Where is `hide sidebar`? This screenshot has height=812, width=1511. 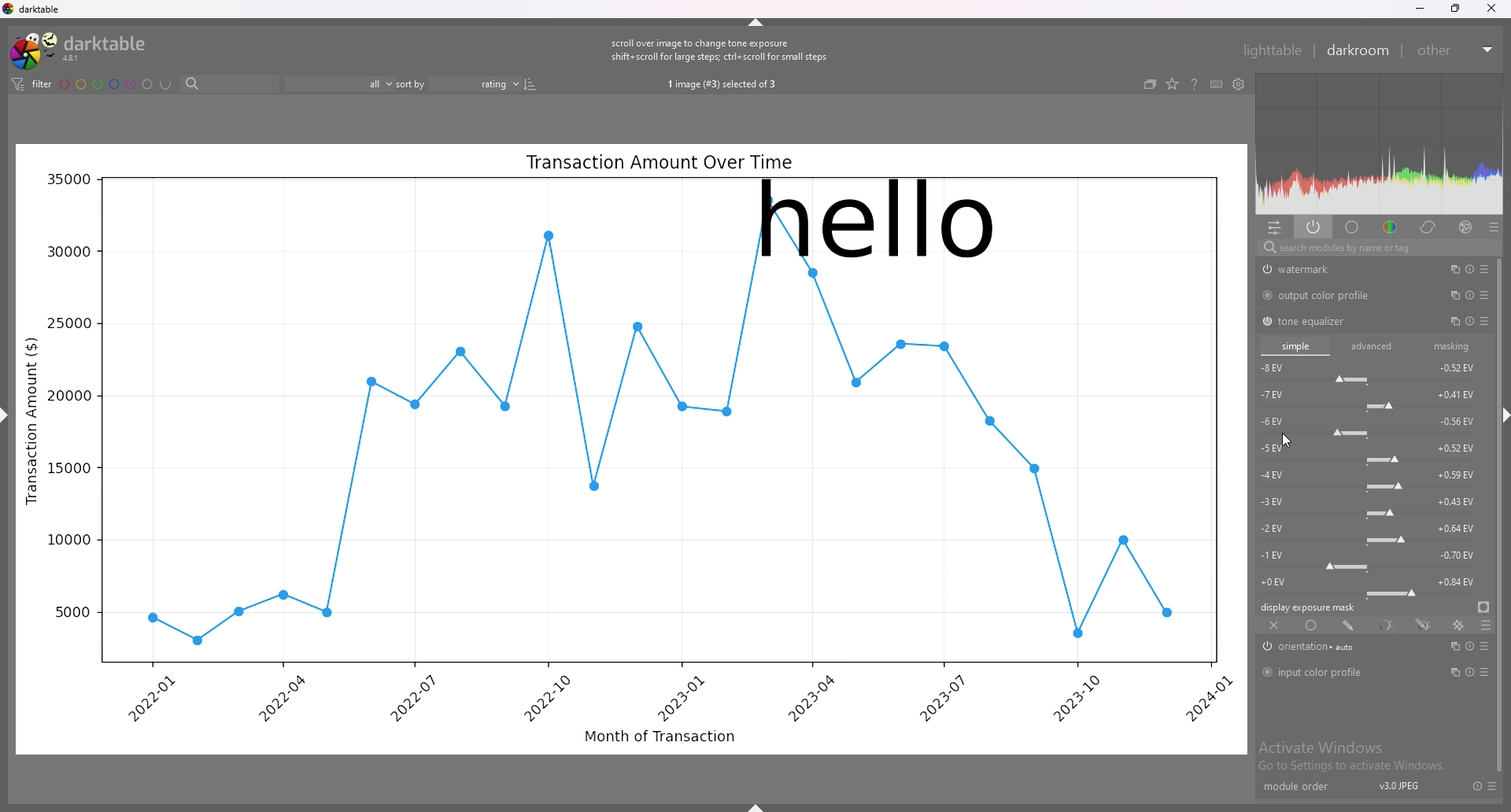
hide sidebar is located at coordinates (1506, 417).